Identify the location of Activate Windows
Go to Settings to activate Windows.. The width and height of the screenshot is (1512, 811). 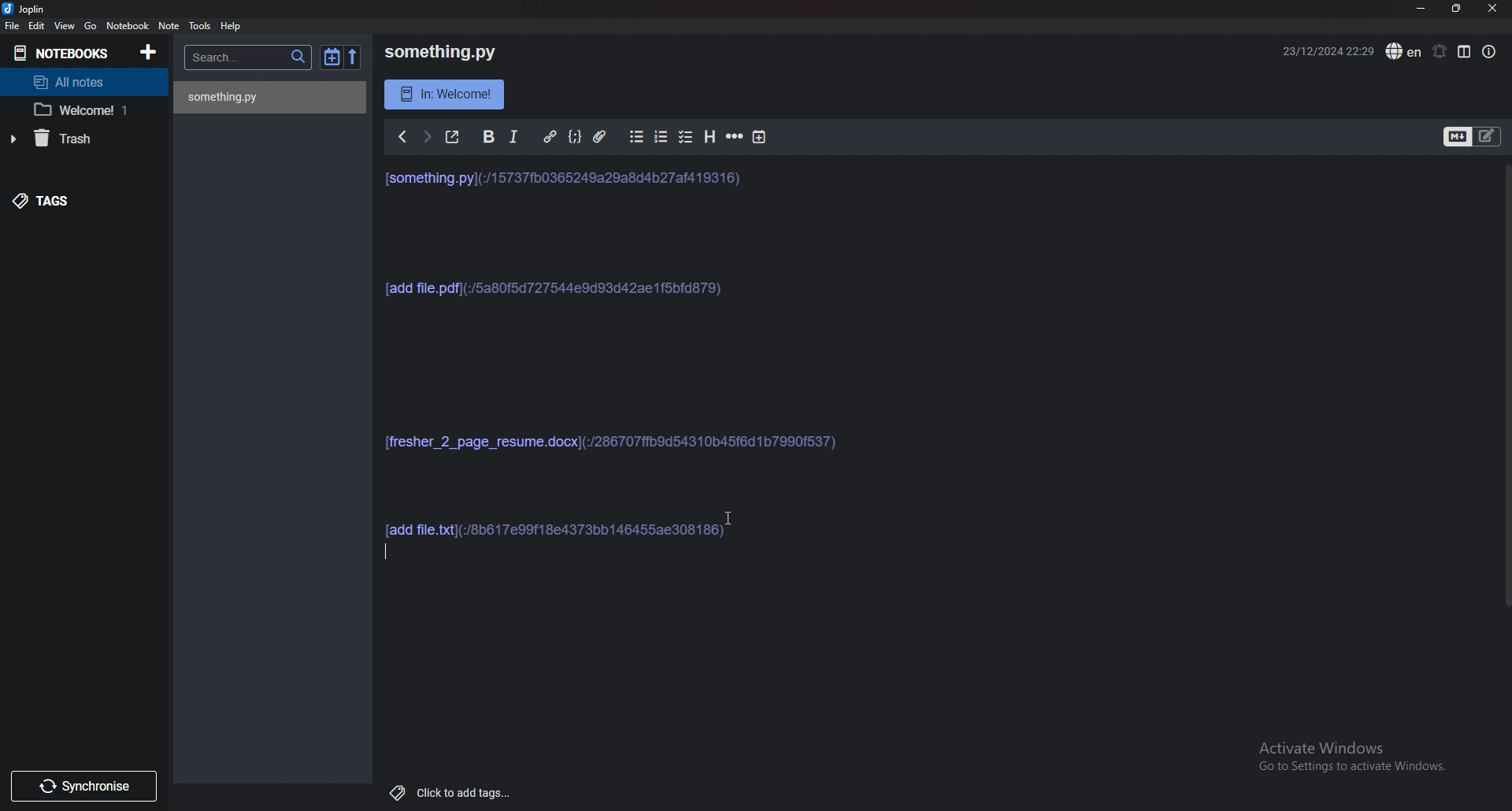
(1346, 759).